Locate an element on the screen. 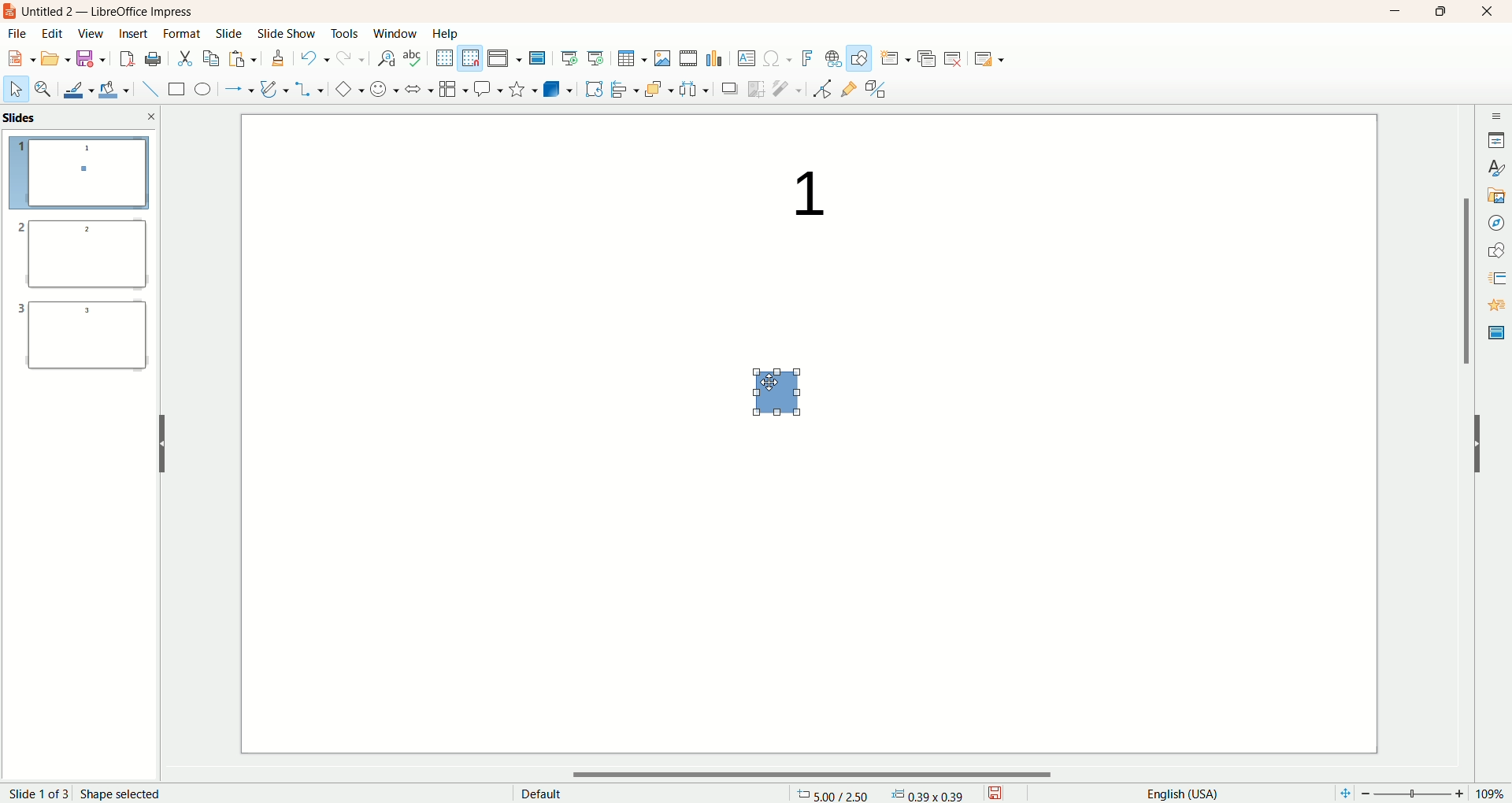 The width and height of the screenshot is (1512, 803). master slide is located at coordinates (539, 58).